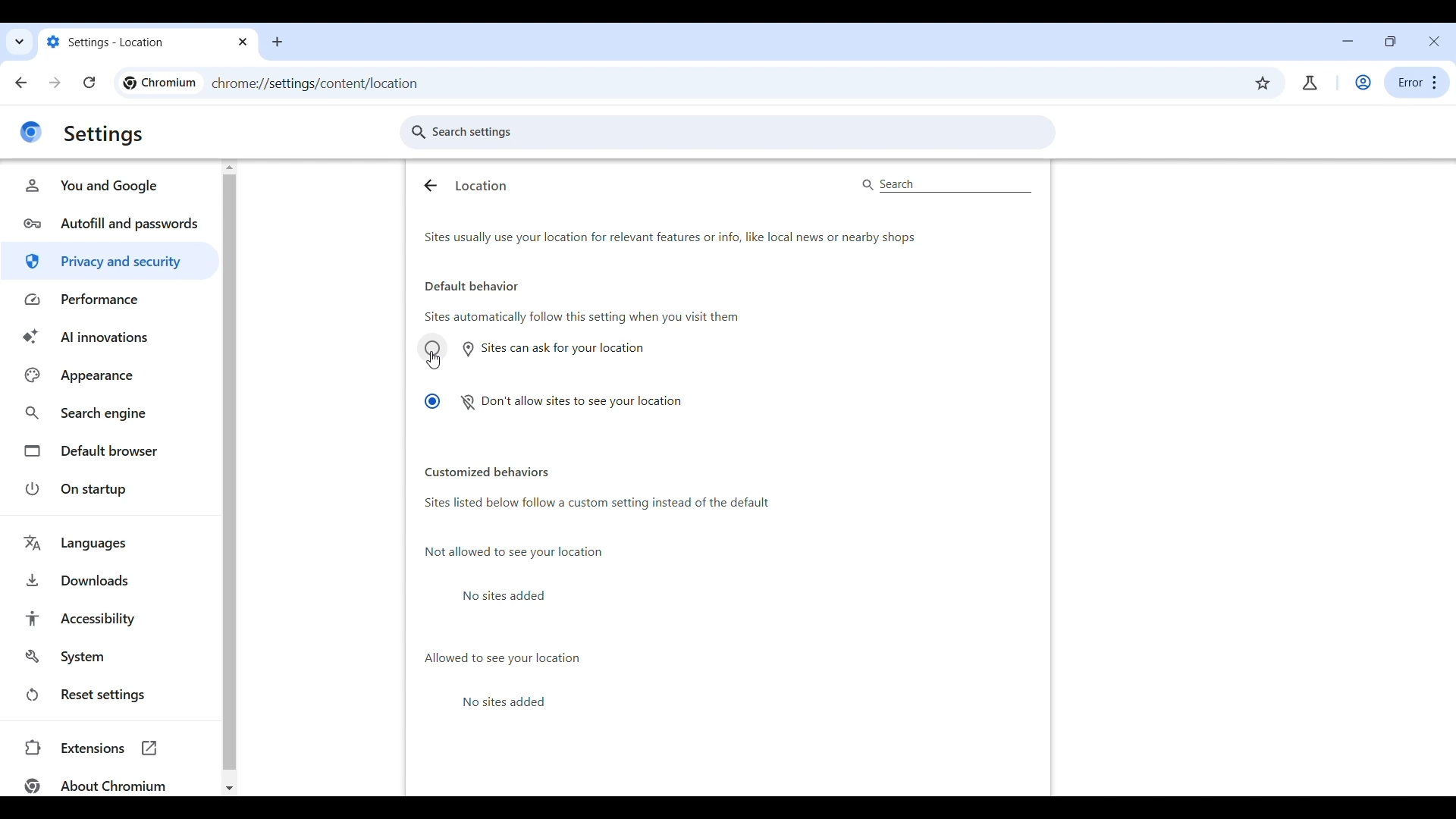 Image resolution: width=1456 pixels, height=819 pixels. I want to click on Privacy and security highlighted, so click(111, 261).